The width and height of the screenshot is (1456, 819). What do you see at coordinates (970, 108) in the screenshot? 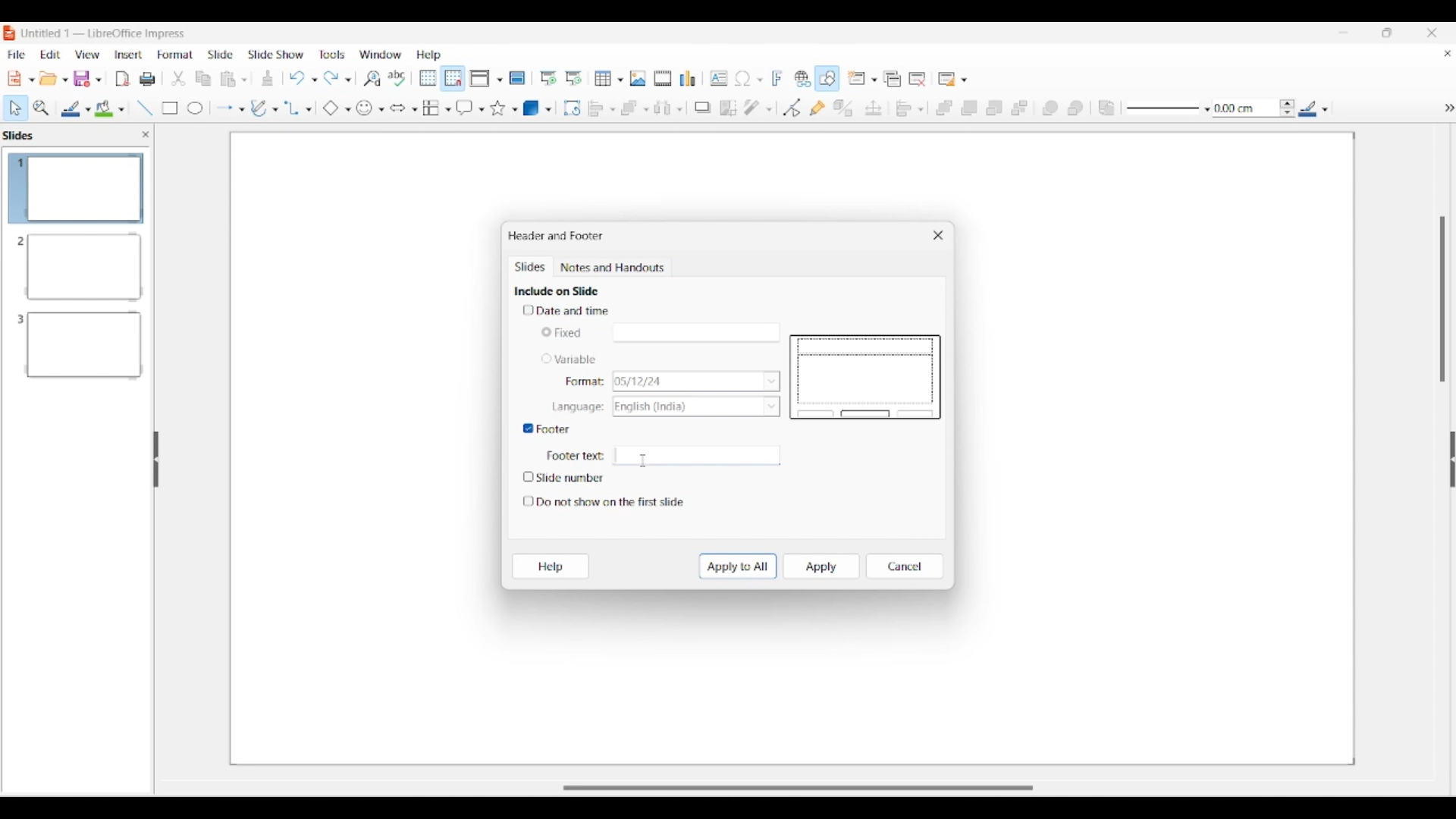
I see `Bring forward` at bounding box center [970, 108].